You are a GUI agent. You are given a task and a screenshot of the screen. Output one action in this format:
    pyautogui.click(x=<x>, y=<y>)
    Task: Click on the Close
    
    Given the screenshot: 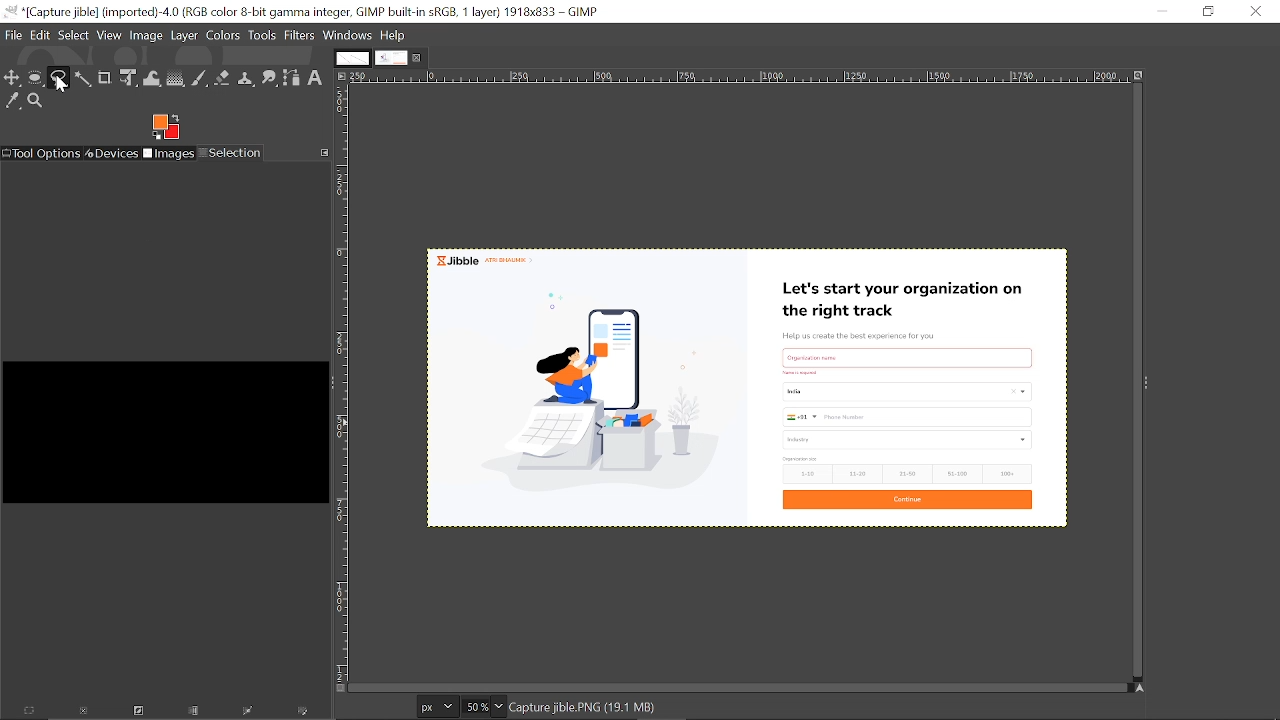 What is the action you would take?
    pyautogui.click(x=1255, y=11)
    